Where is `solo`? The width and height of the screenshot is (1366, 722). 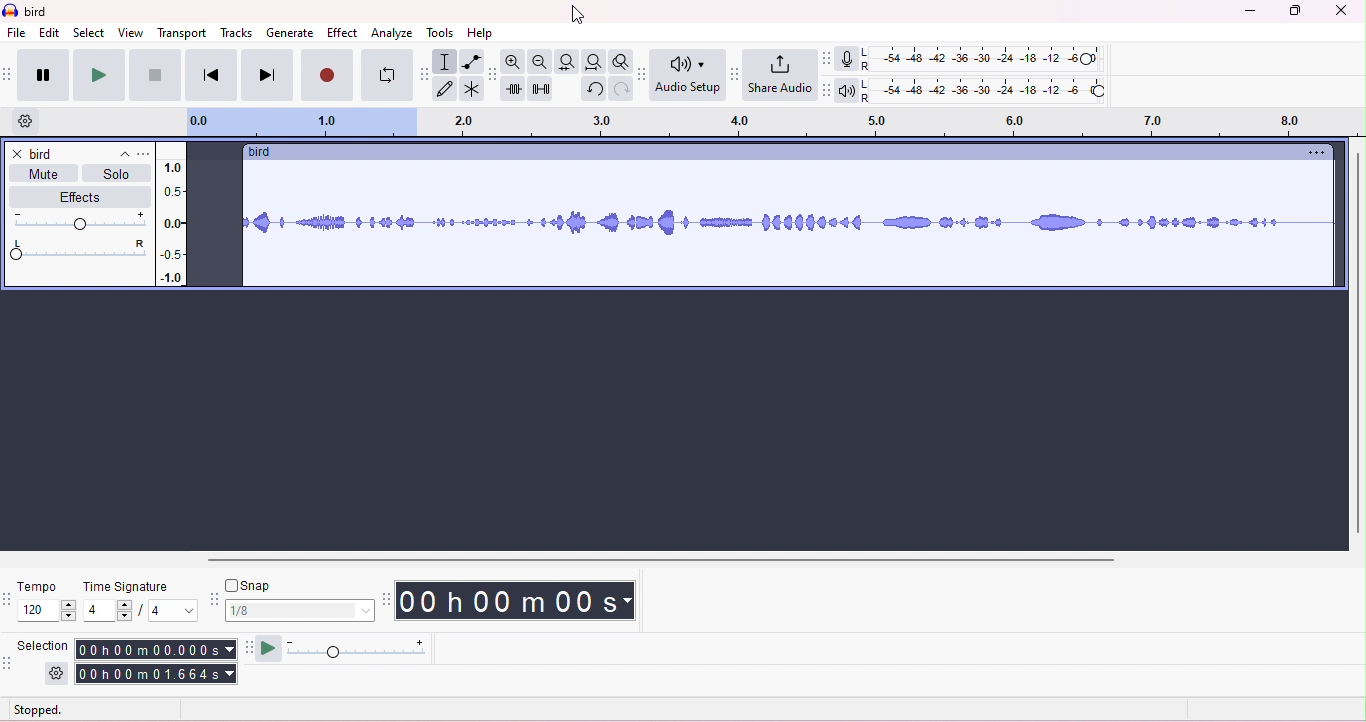 solo is located at coordinates (116, 177).